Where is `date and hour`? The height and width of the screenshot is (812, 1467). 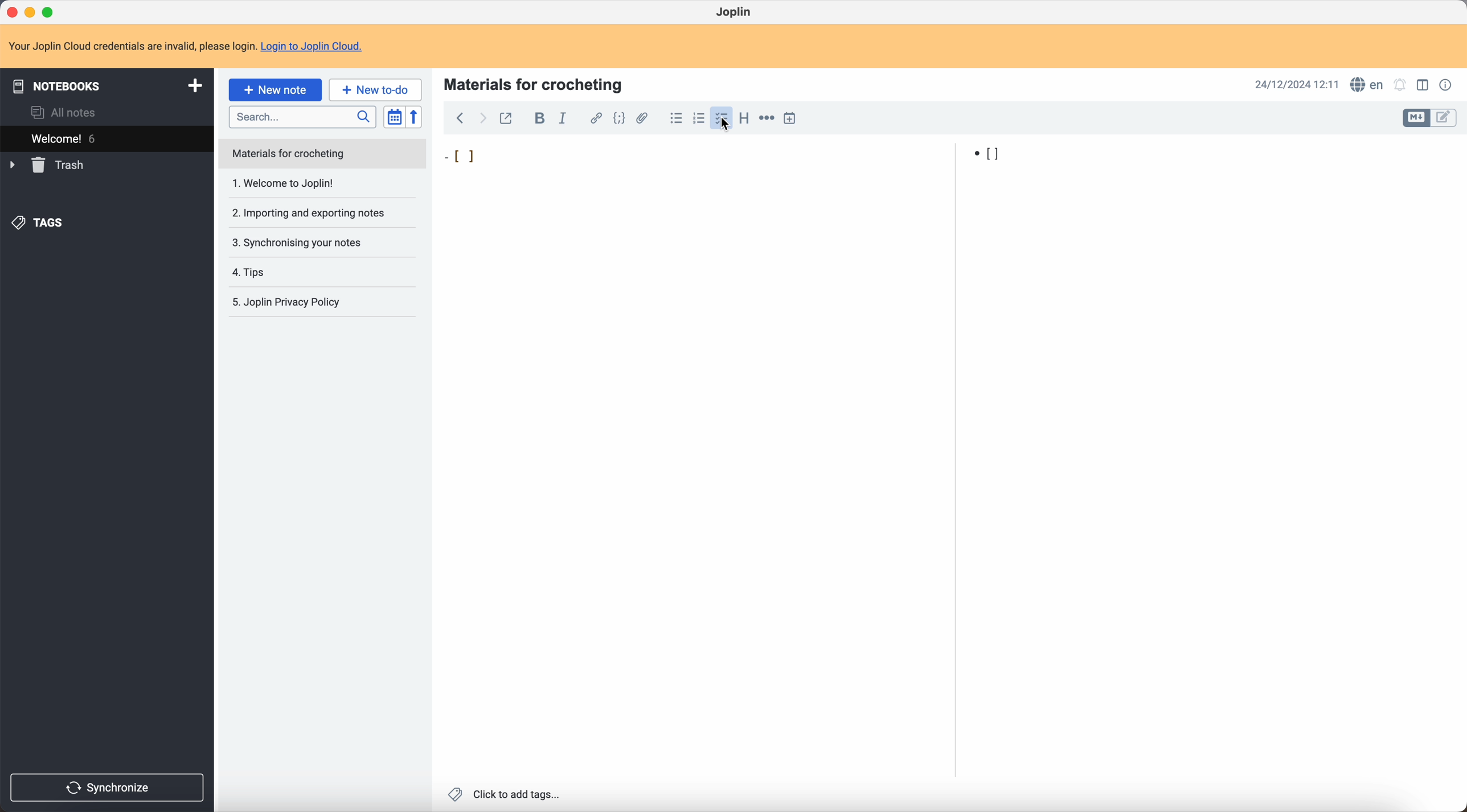
date and hour is located at coordinates (1297, 84).